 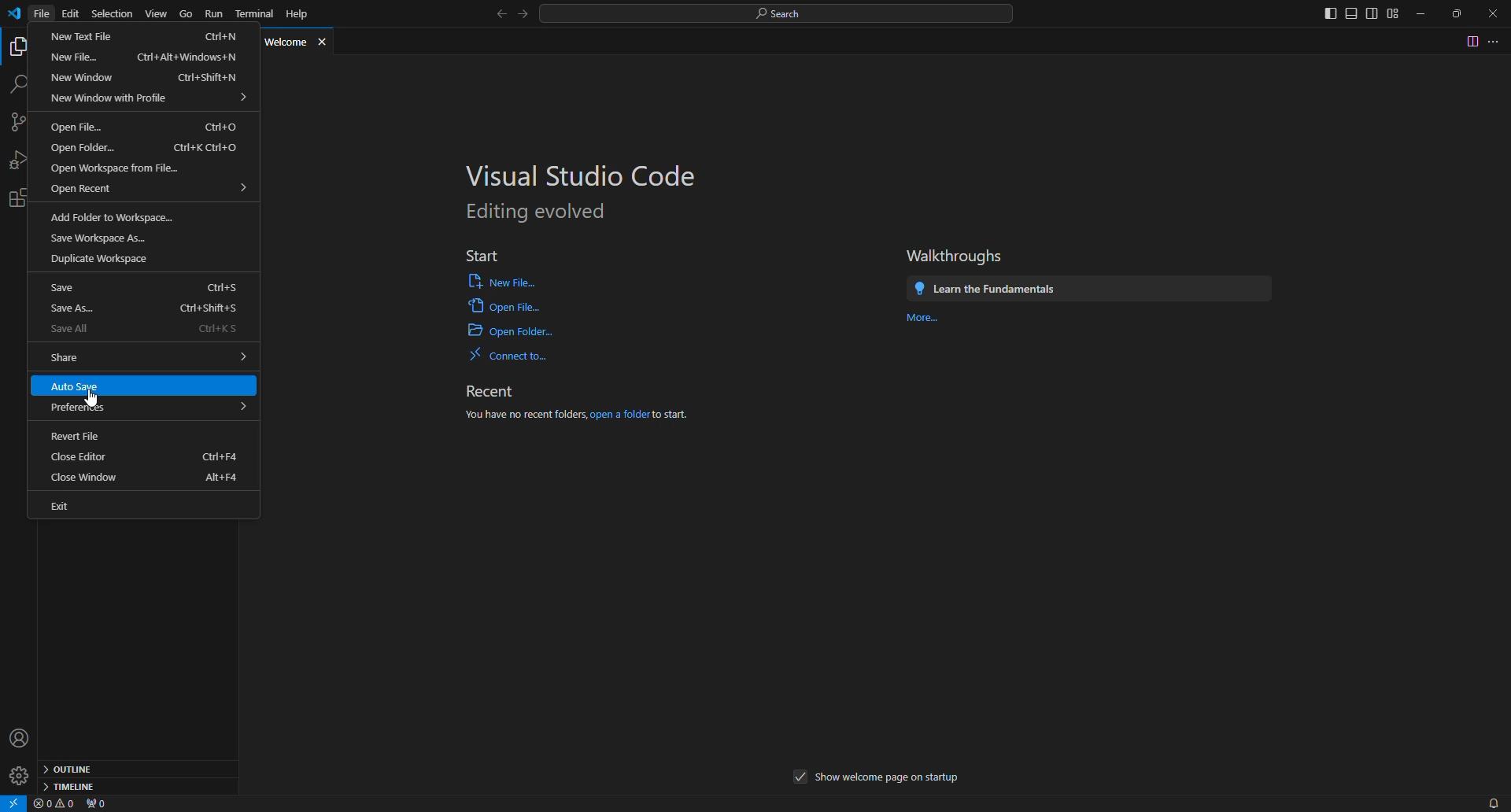 What do you see at coordinates (927, 320) in the screenshot?
I see `more` at bounding box center [927, 320].